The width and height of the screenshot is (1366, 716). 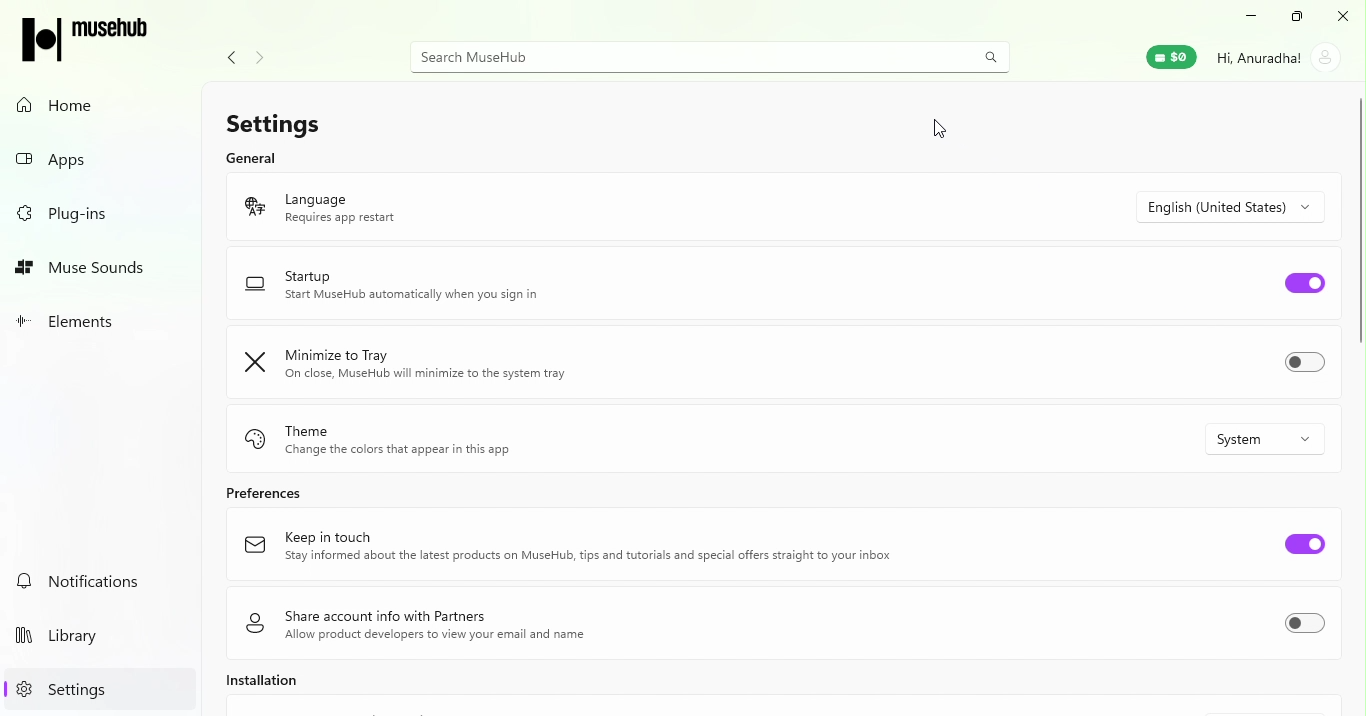 I want to click on Toggle, so click(x=1299, y=284).